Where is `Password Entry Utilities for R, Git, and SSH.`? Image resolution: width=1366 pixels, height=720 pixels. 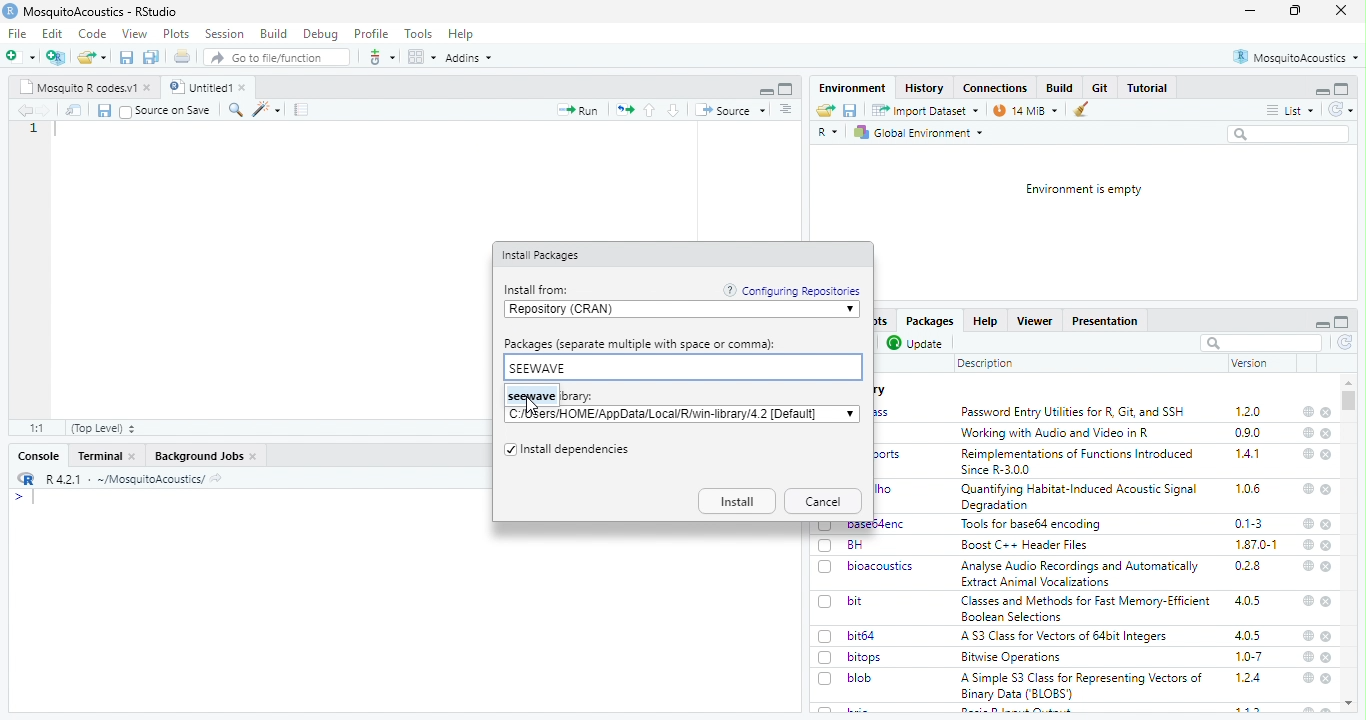
Password Entry Utilities for R, Git, and SSH. is located at coordinates (1075, 411).